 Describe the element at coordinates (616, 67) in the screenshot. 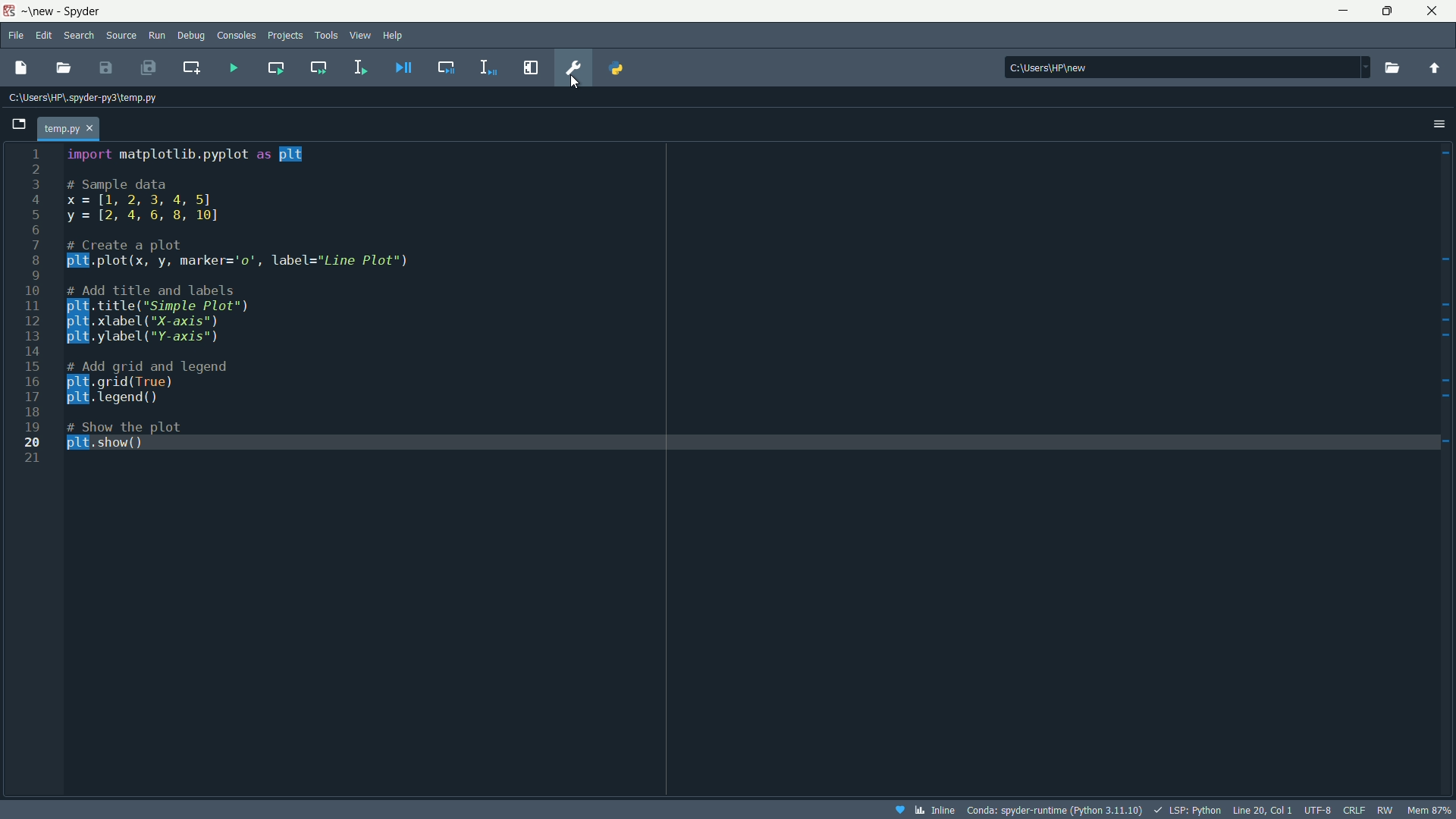

I see `python path manager` at that location.